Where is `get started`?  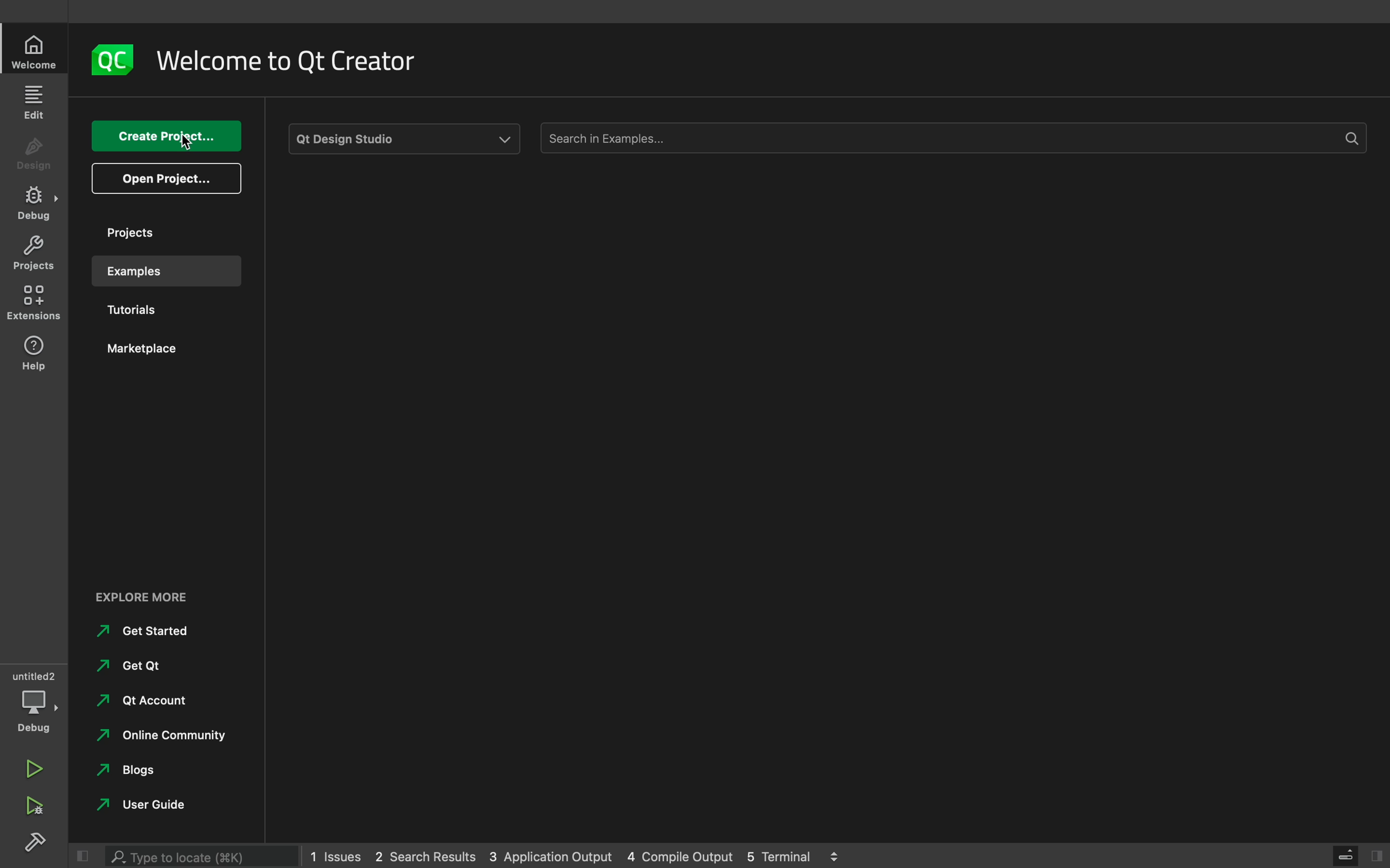
get started is located at coordinates (144, 632).